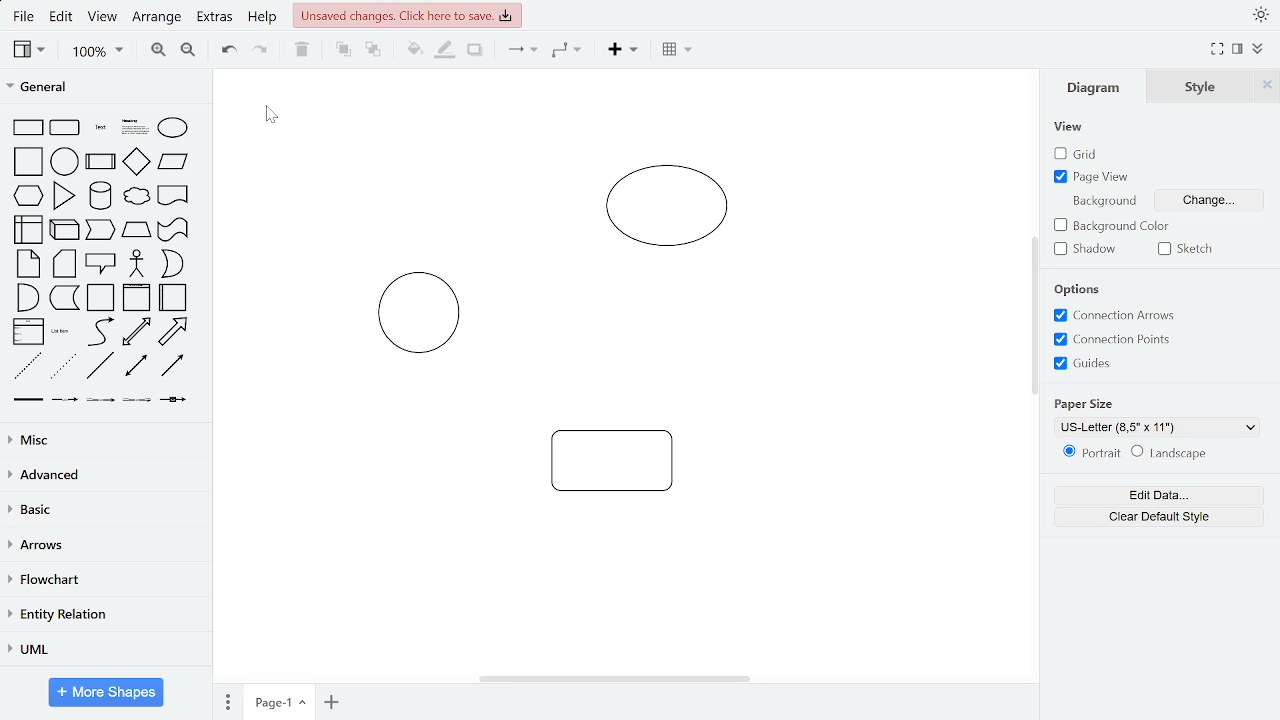 The width and height of the screenshot is (1280, 720). What do you see at coordinates (1102, 199) in the screenshot?
I see `background` at bounding box center [1102, 199].